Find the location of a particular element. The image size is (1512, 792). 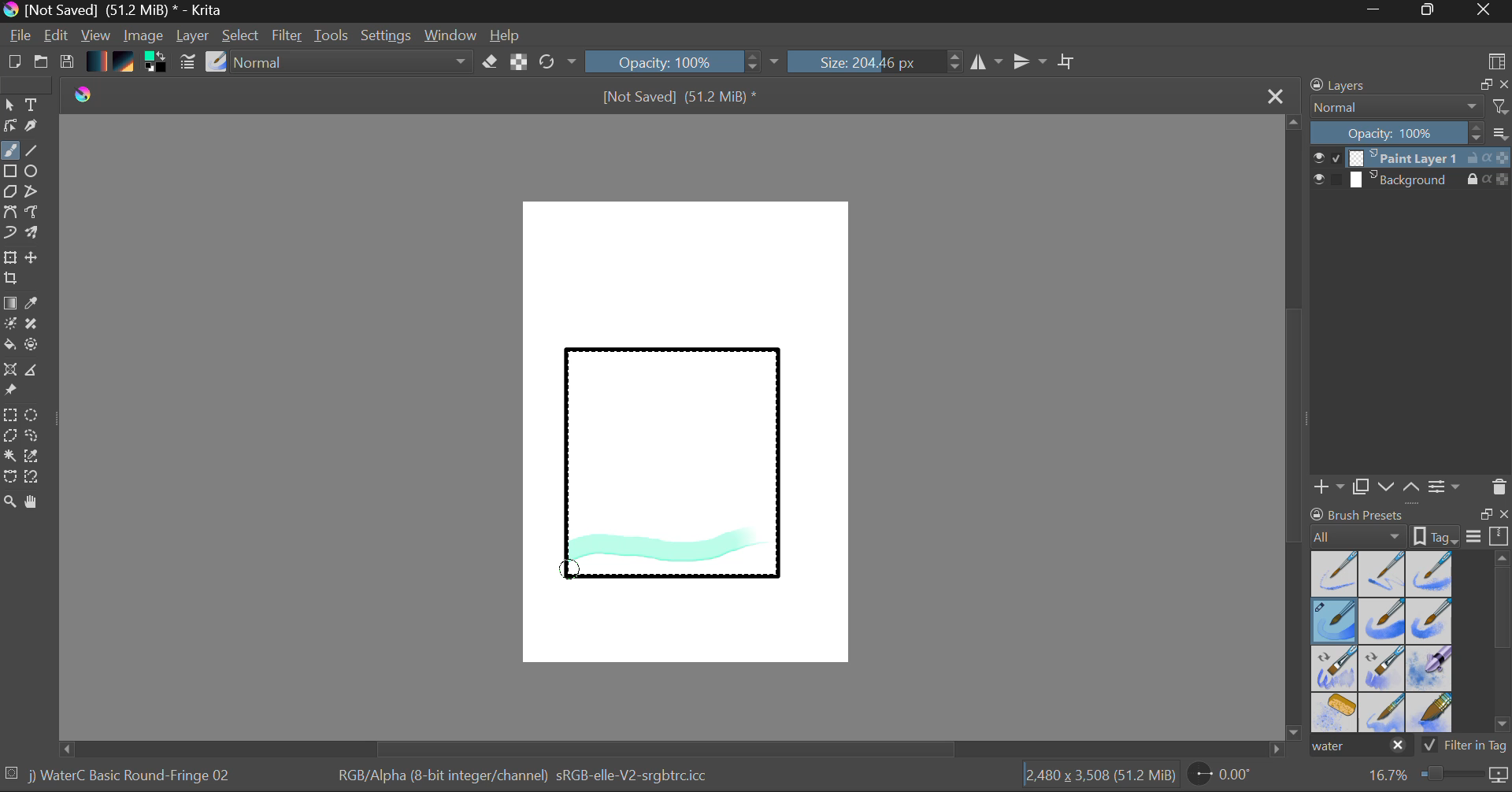

Similar Color Selector is located at coordinates (36, 457).